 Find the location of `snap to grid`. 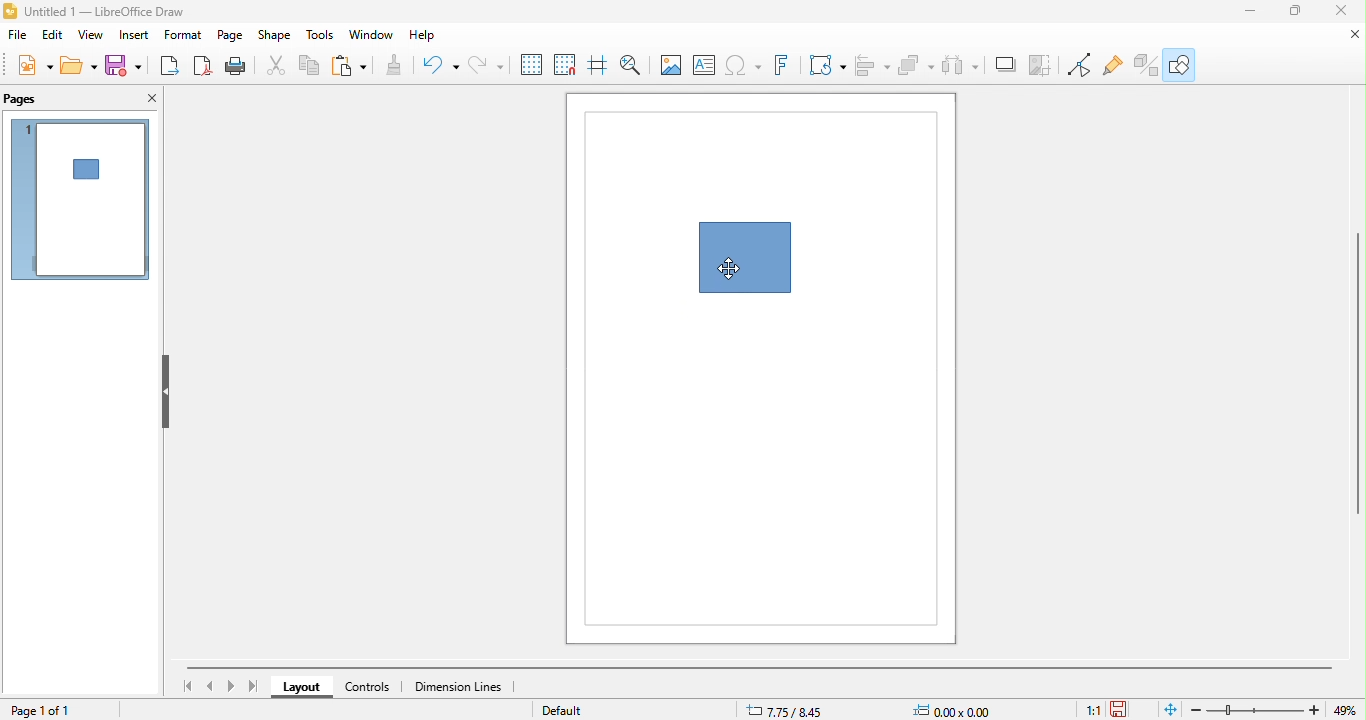

snap to grid is located at coordinates (569, 66).